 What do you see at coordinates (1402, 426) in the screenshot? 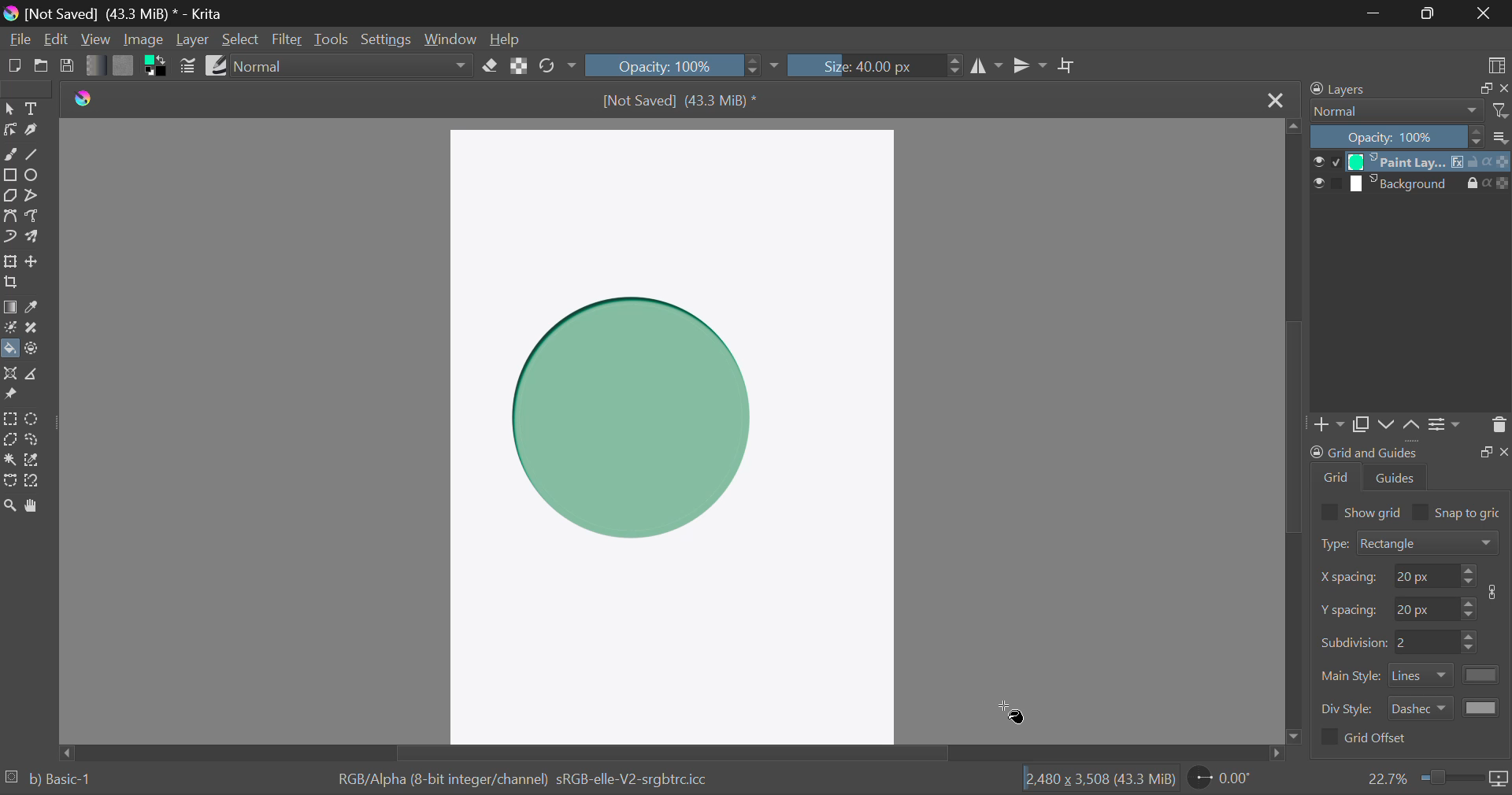
I see `Movement of Layers` at bounding box center [1402, 426].